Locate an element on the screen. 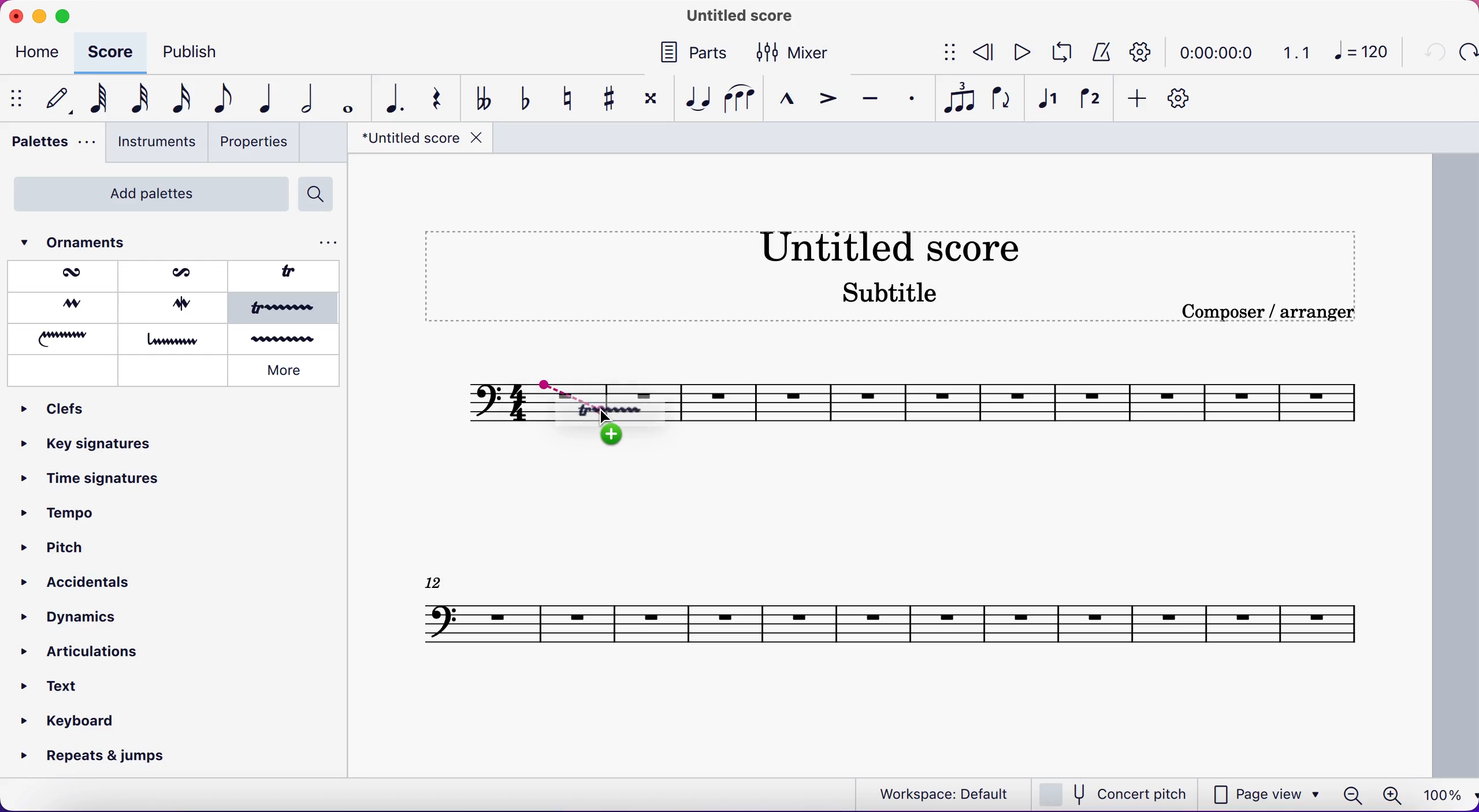 Image resolution: width=1479 pixels, height=812 pixels. add is located at coordinates (602, 438).